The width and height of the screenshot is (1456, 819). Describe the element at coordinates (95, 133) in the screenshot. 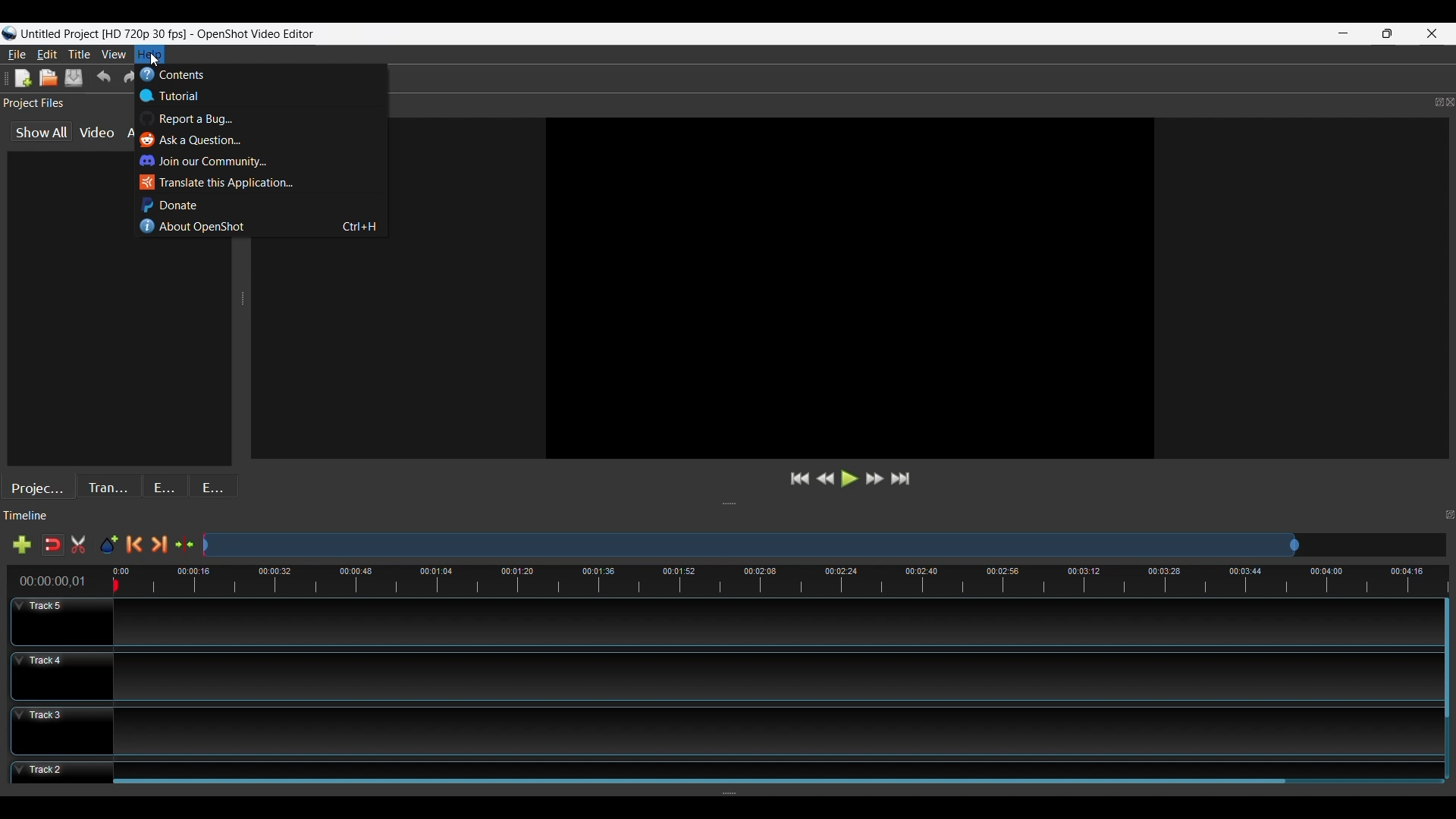

I see `Video` at that location.